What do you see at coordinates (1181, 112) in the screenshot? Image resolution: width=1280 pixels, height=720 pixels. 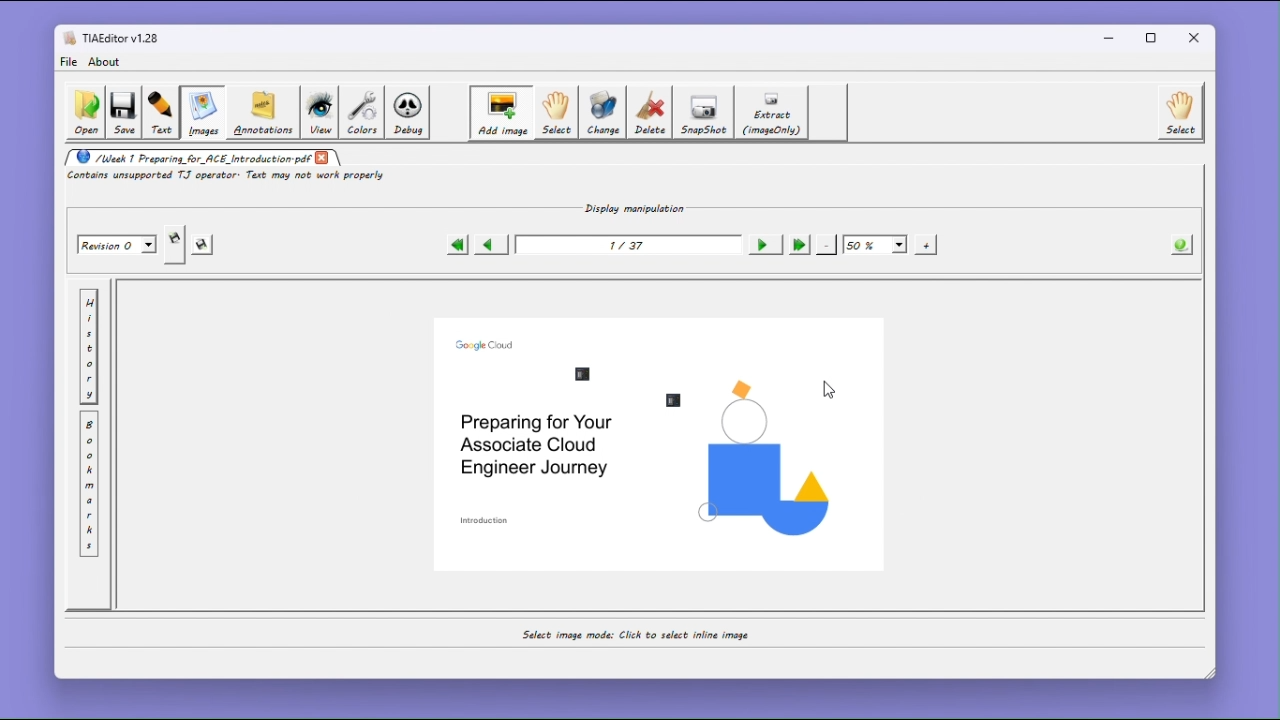 I see `select` at bounding box center [1181, 112].